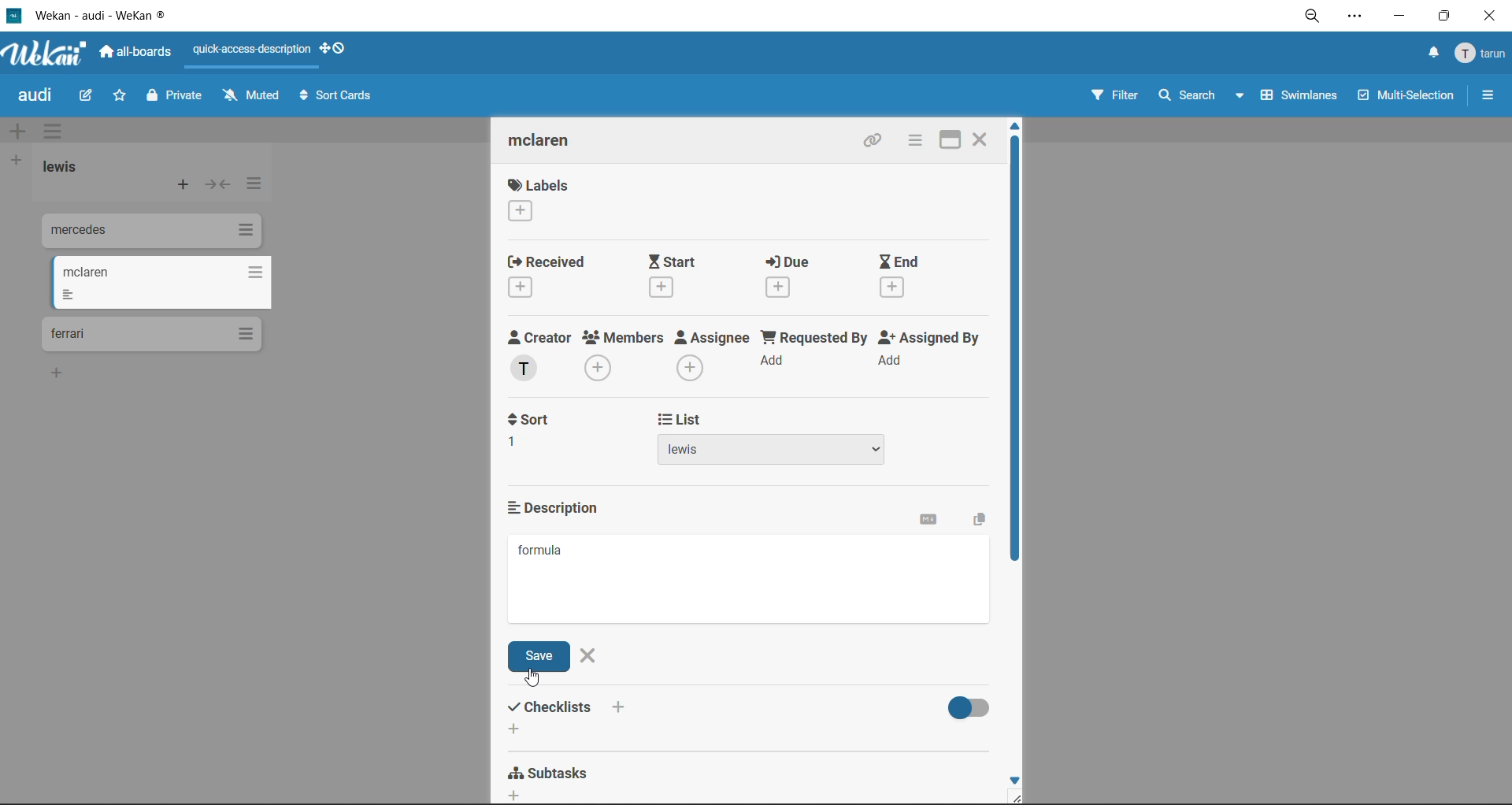 The image size is (1512, 805). I want to click on vertical scroll bar, so click(1015, 353).